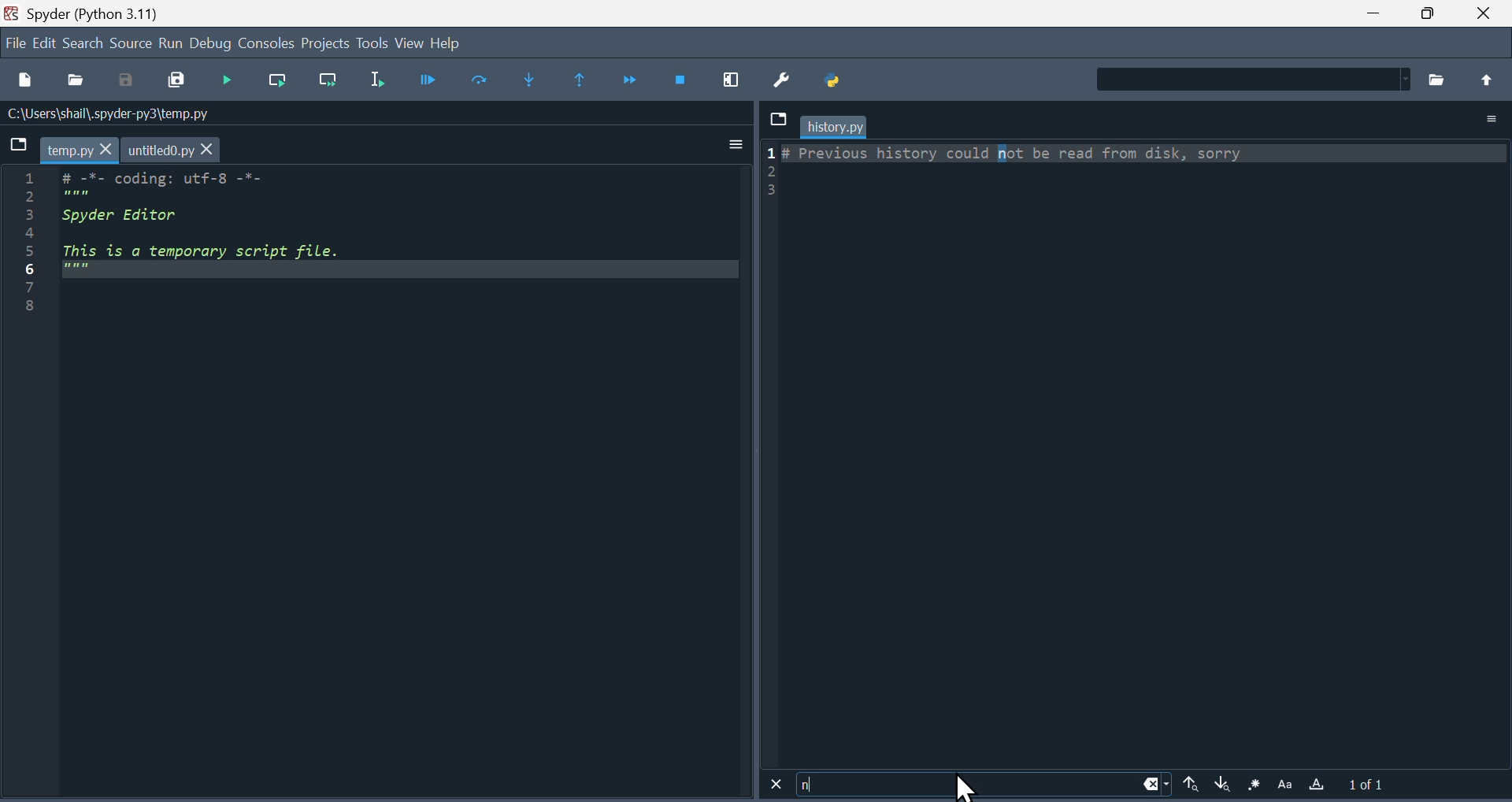 The width and height of the screenshot is (1512, 802). What do you see at coordinates (686, 76) in the screenshot?
I see `Stop debugging` at bounding box center [686, 76].